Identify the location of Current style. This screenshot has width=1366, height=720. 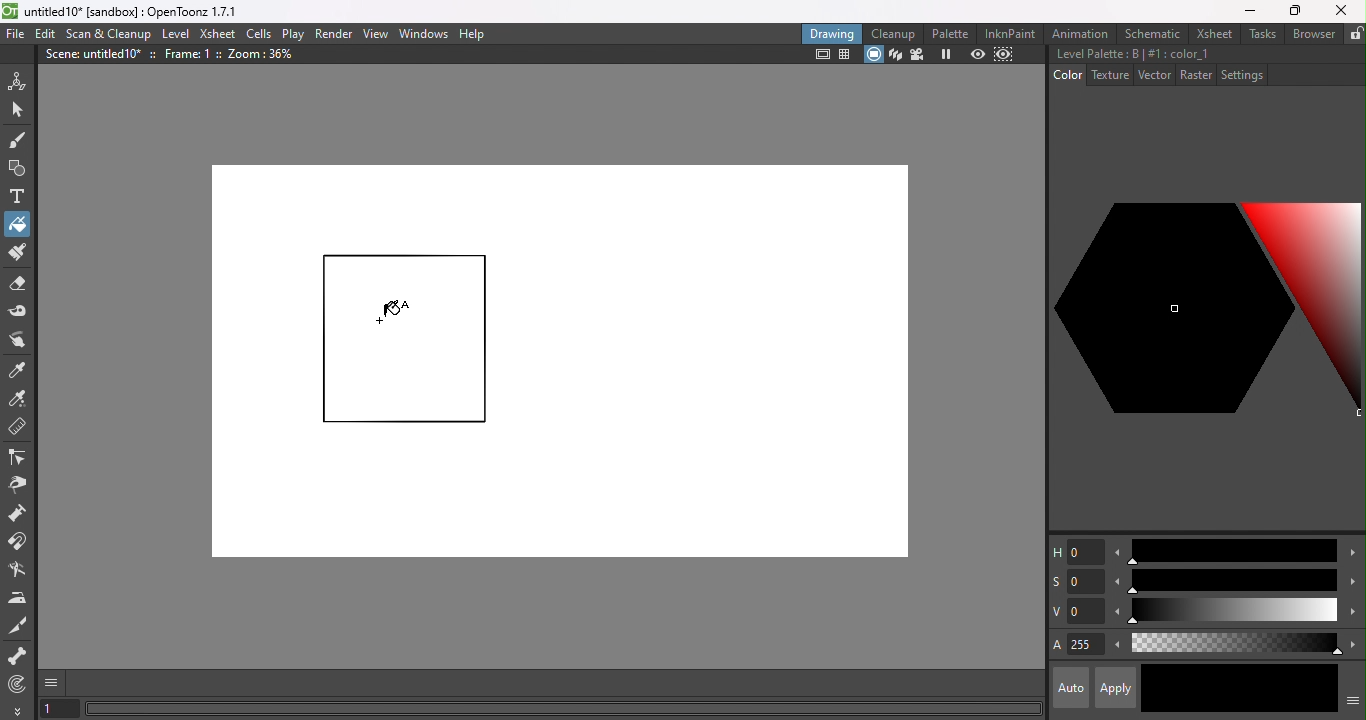
(1189, 687).